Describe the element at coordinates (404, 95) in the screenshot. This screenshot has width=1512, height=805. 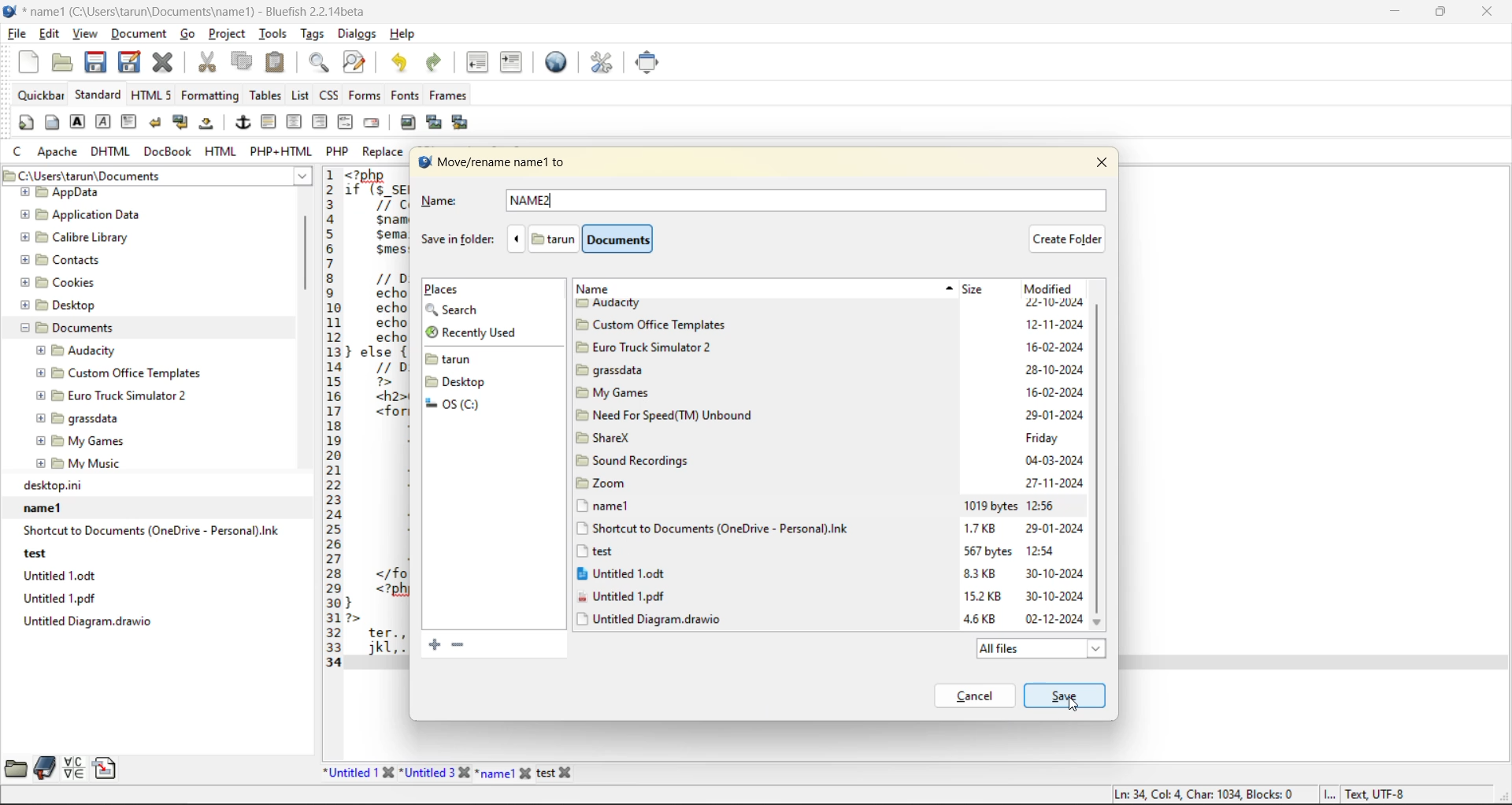
I see `fonts ` at that location.